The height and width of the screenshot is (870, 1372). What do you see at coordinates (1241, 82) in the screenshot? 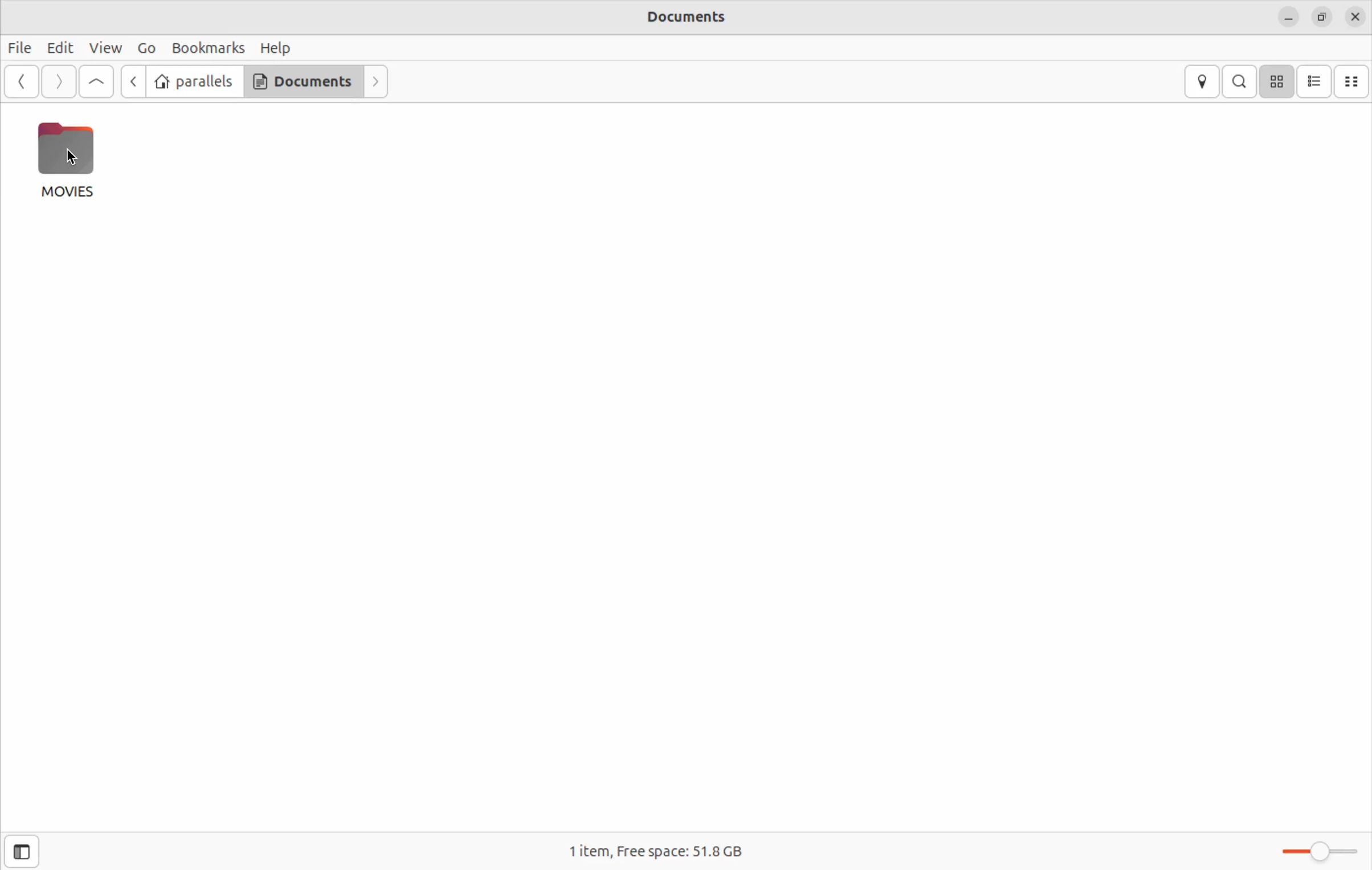
I see `Search` at bounding box center [1241, 82].